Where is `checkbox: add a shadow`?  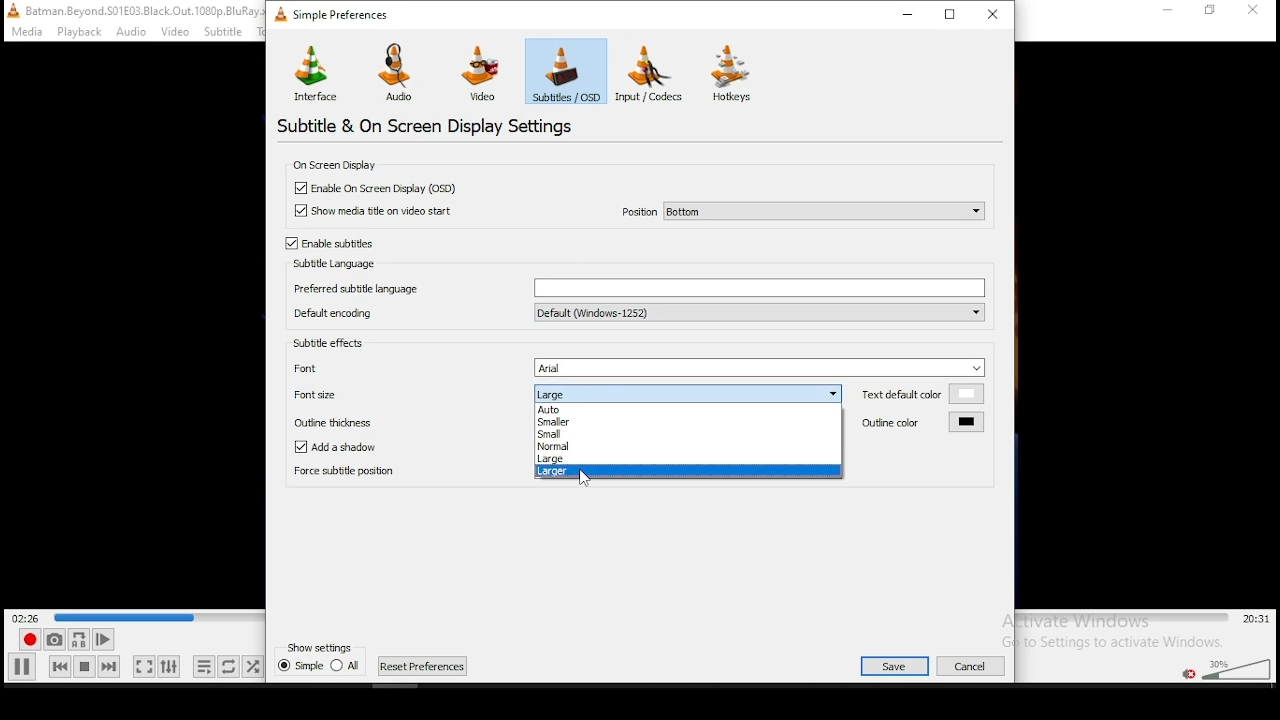 checkbox: add a shadow is located at coordinates (346, 448).